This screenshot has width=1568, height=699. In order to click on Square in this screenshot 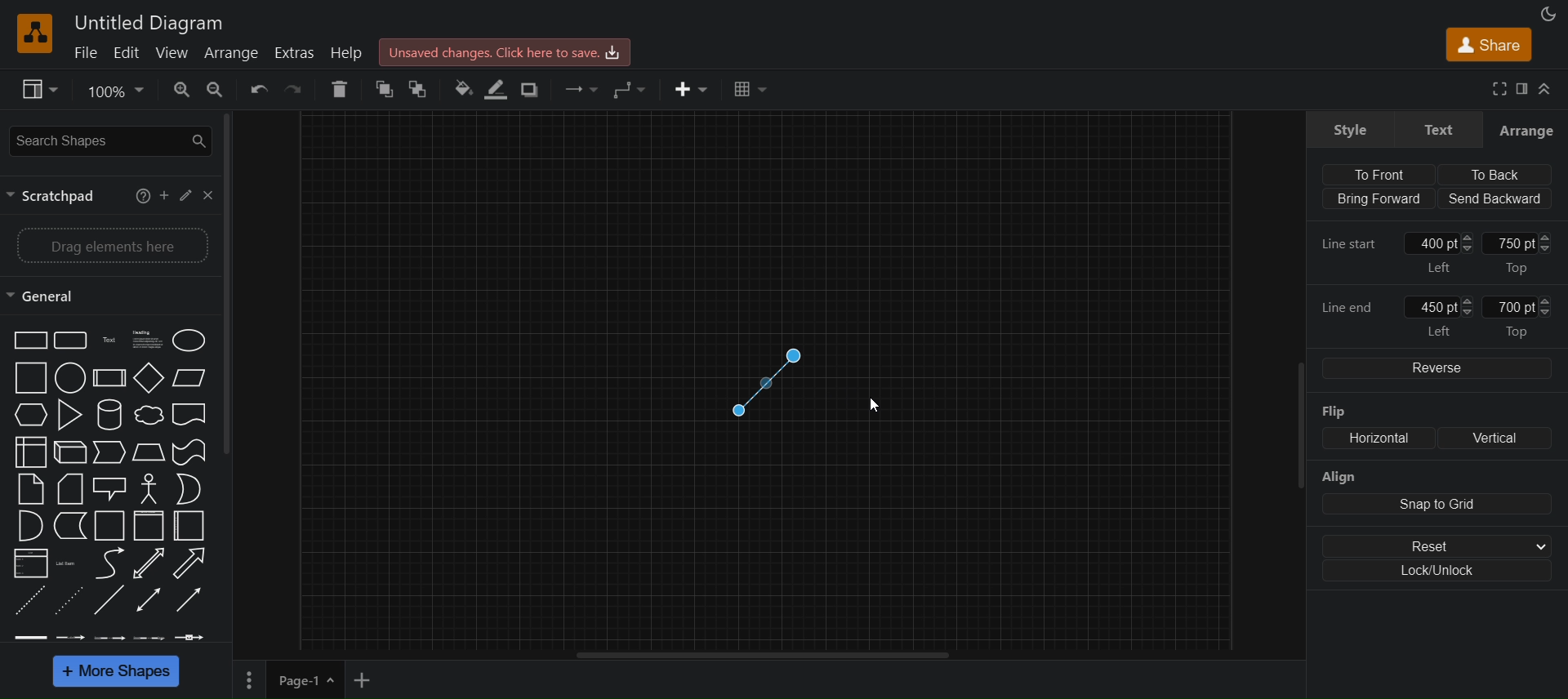, I will do `click(29, 377)`.